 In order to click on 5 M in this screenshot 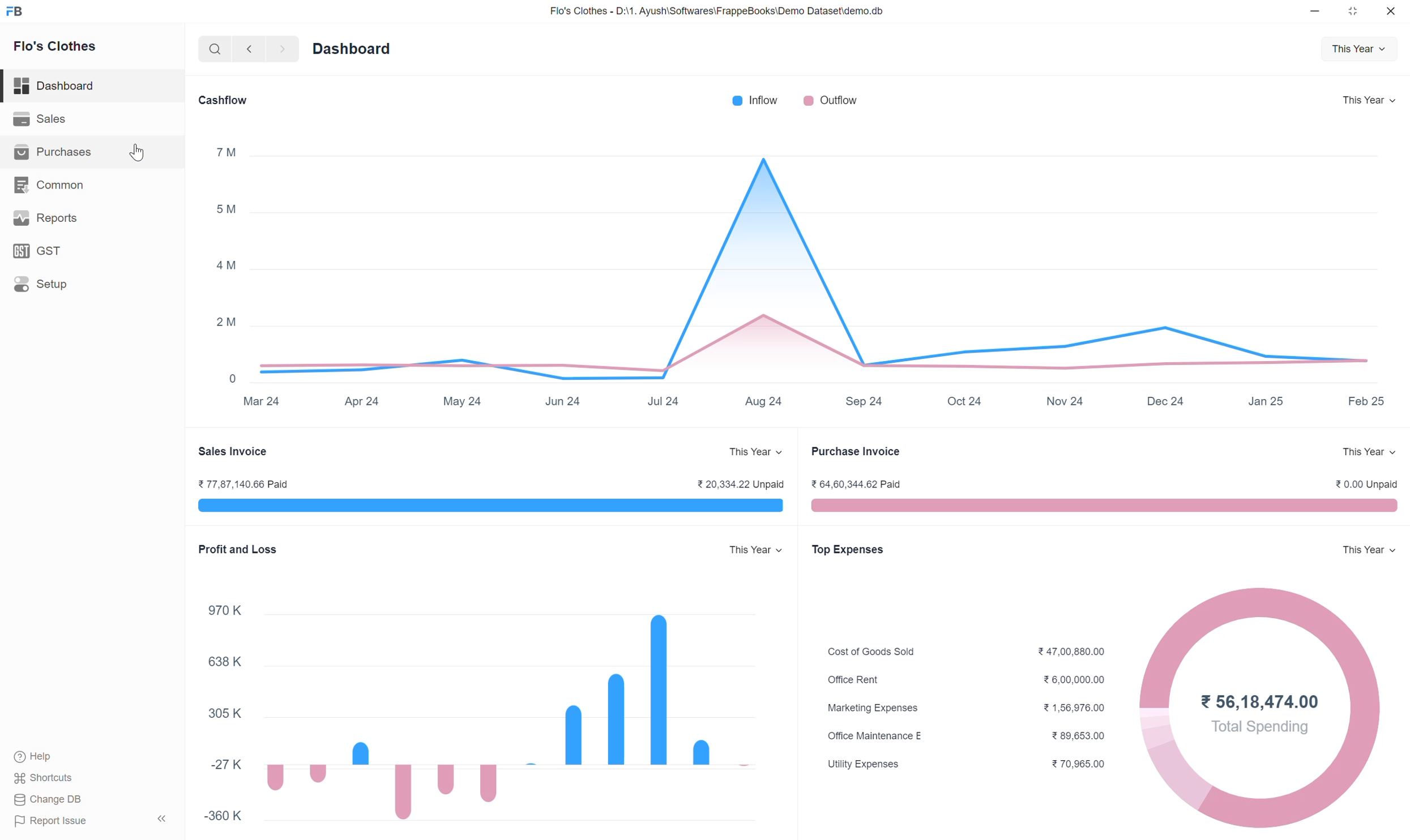, I will do `click(226, 209)`.